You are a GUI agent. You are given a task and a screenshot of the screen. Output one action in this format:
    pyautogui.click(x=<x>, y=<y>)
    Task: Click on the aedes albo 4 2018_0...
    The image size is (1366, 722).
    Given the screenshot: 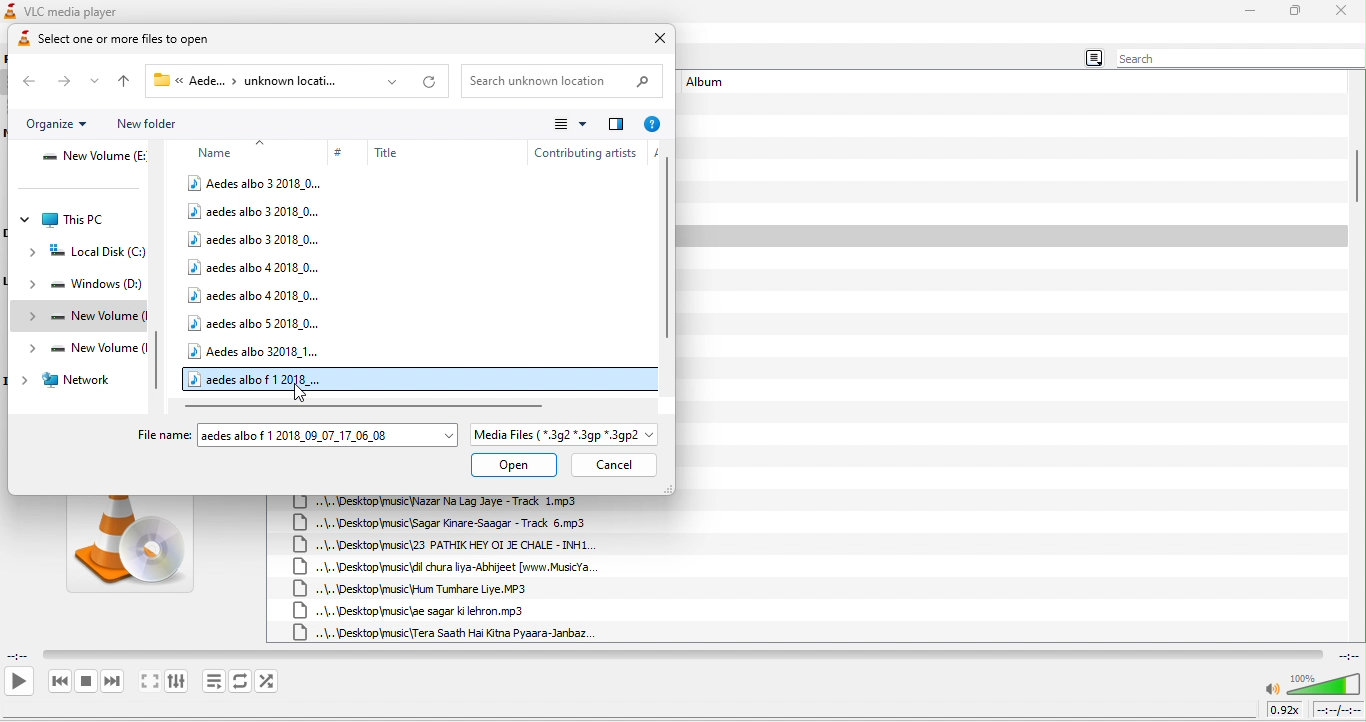 What is the action you would take?
    pyautogui.click(x=256, y=266)
    